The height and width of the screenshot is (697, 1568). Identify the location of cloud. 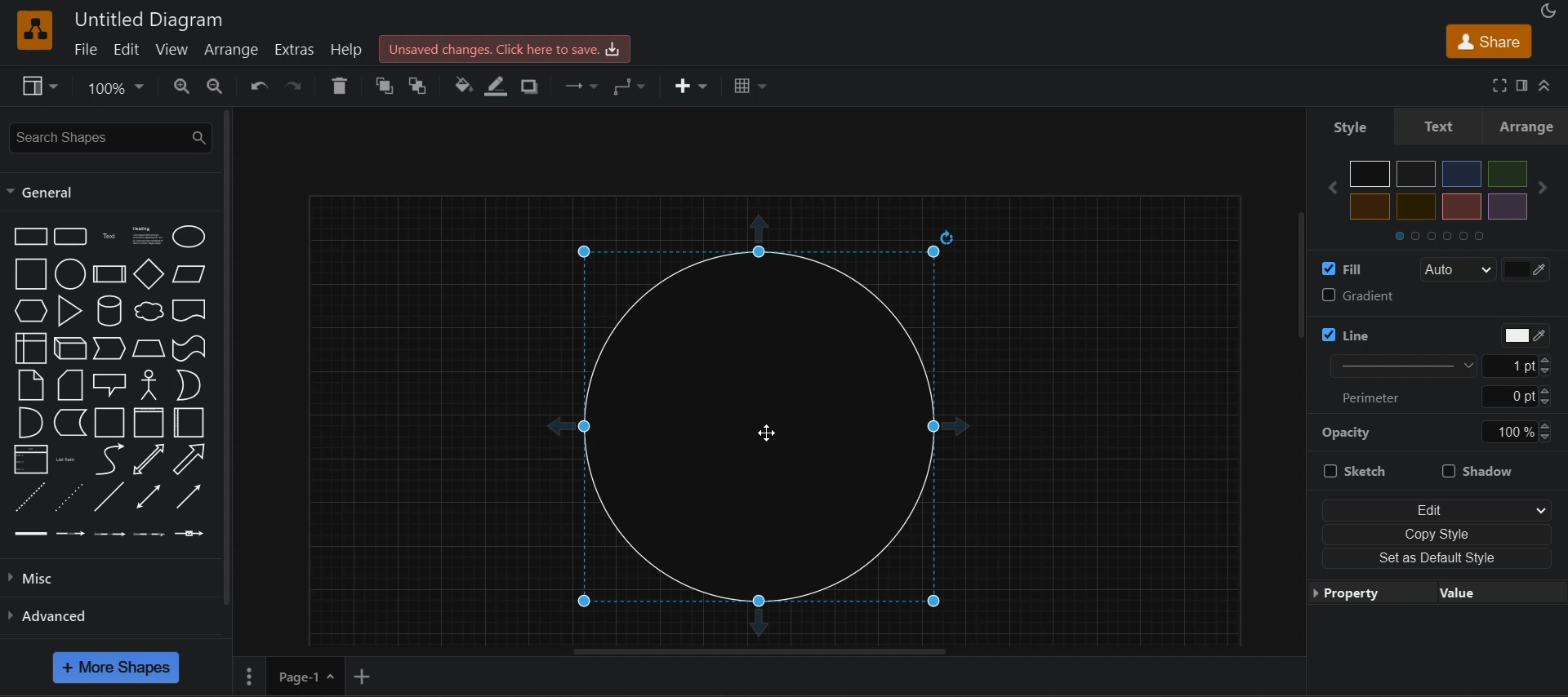
(150, 311).